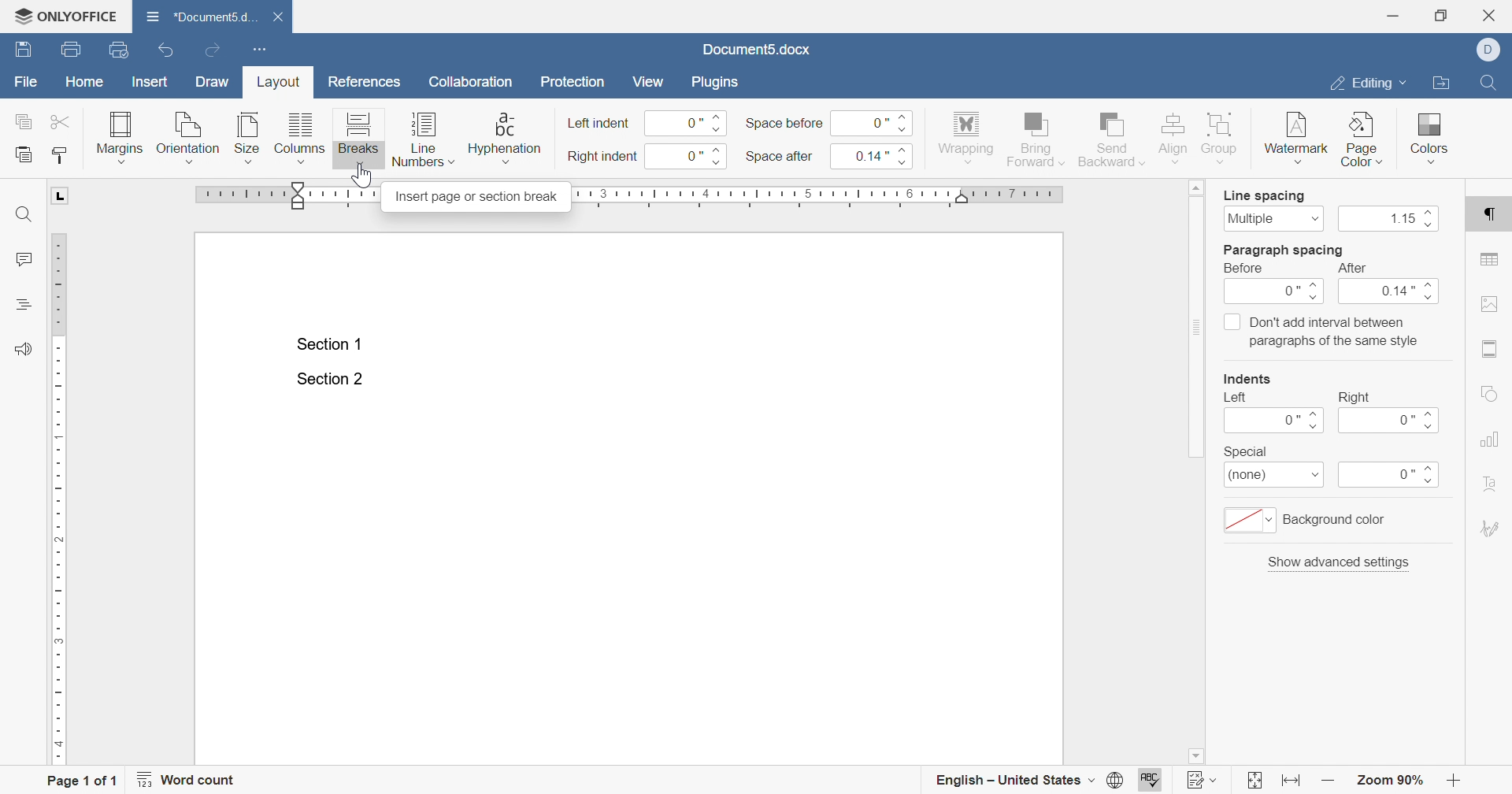  Describe the element at coordinates (1390, 476) in the screenshot. I see `0` at that location.